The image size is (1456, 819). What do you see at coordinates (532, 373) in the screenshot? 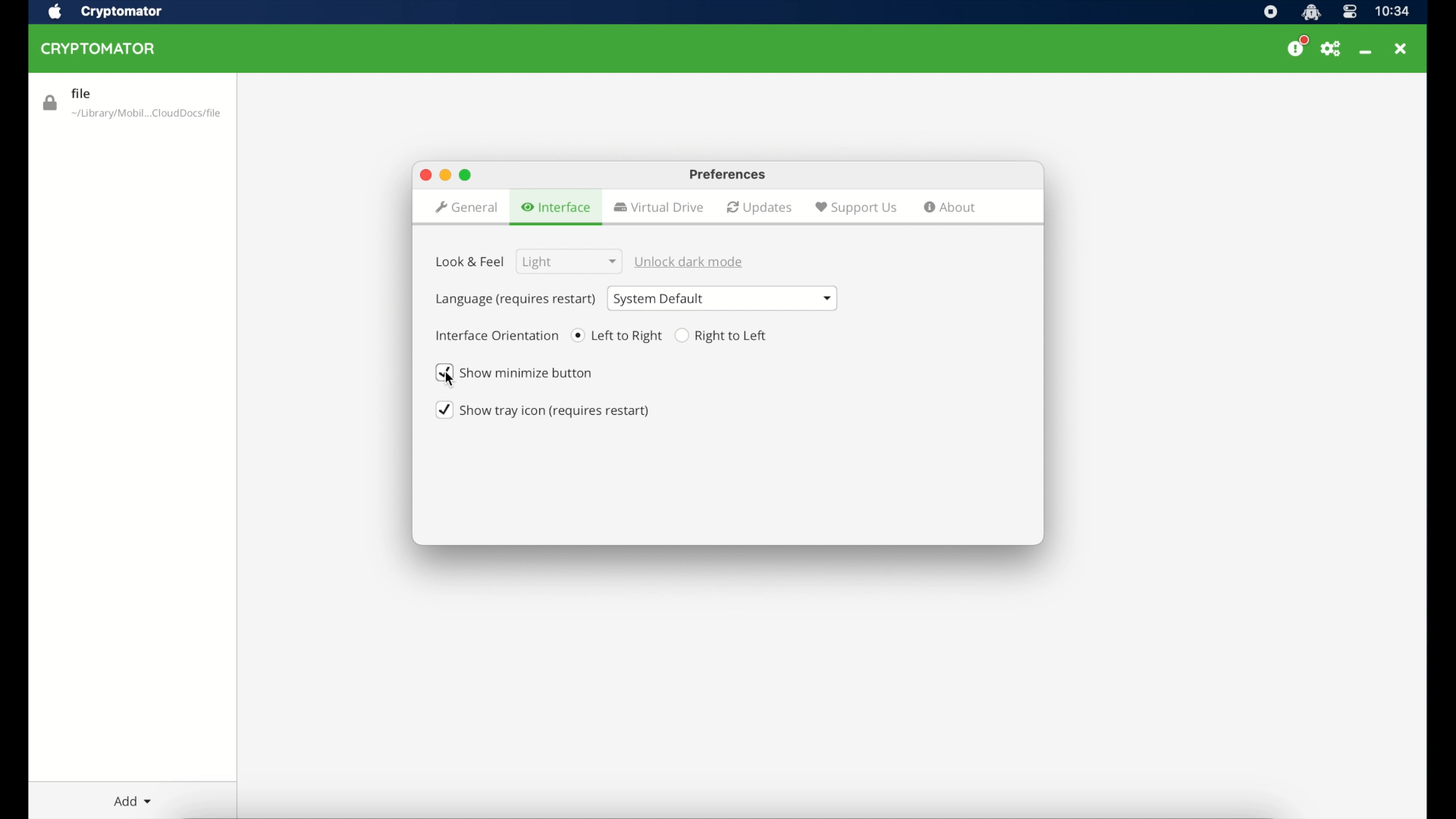
I see `checkbox` at bounding box center [532, 373].